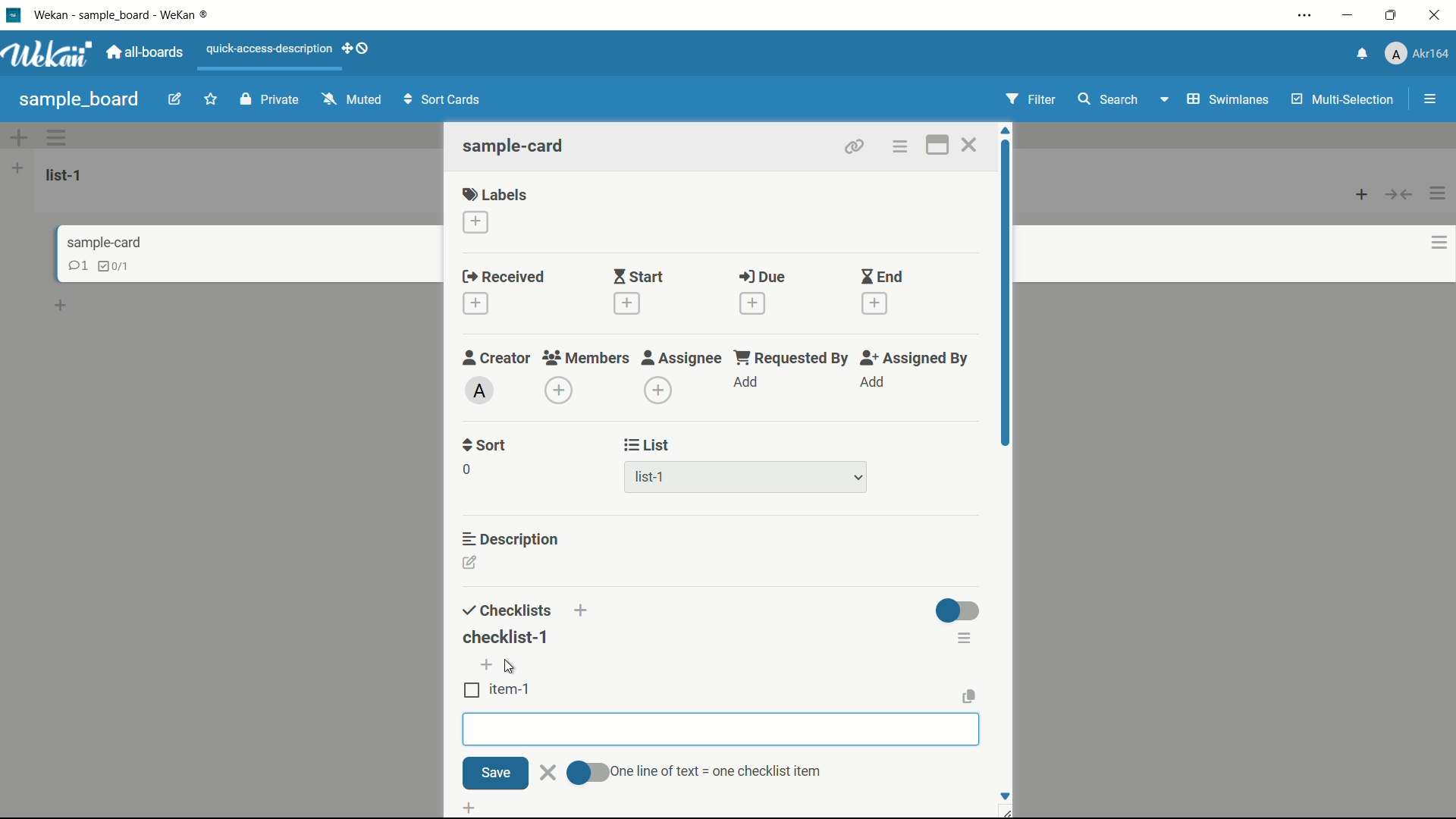 This screenshot has height=819, width=1456. I want to click on add, so click(343, 50).